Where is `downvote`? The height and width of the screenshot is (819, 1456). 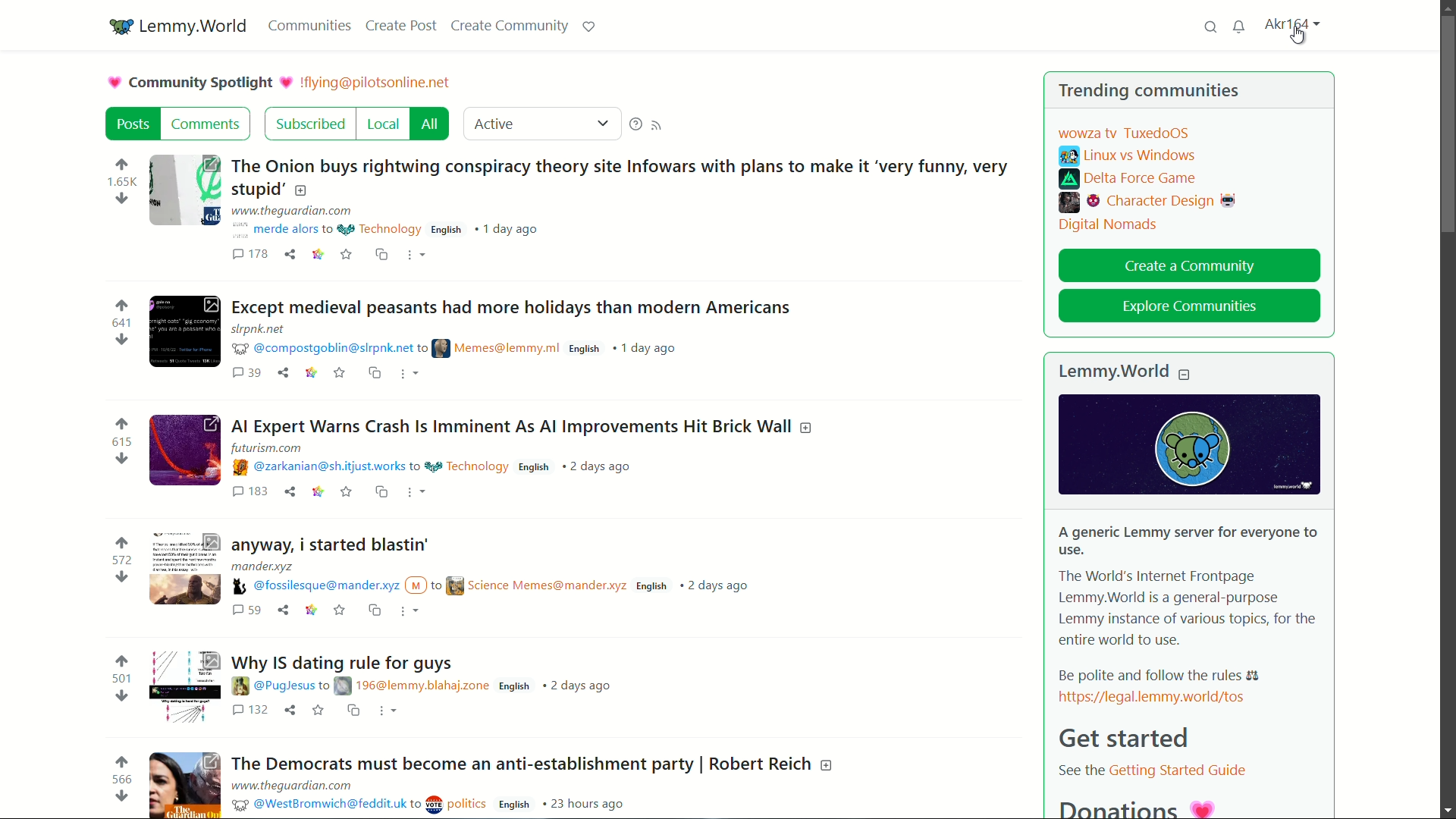
downvote is located at coordinates (121, 695).